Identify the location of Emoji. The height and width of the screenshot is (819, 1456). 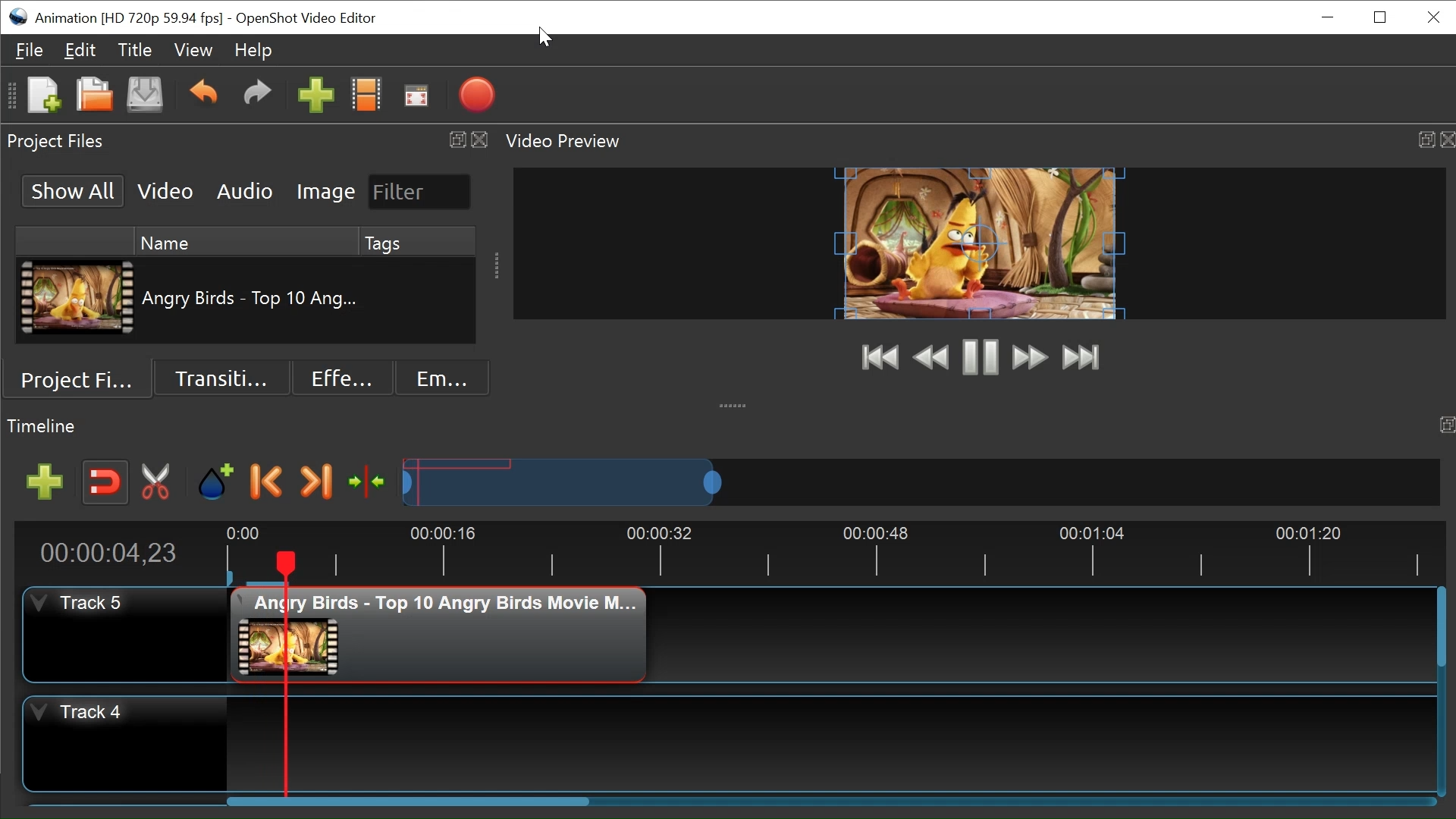
(443, 378).